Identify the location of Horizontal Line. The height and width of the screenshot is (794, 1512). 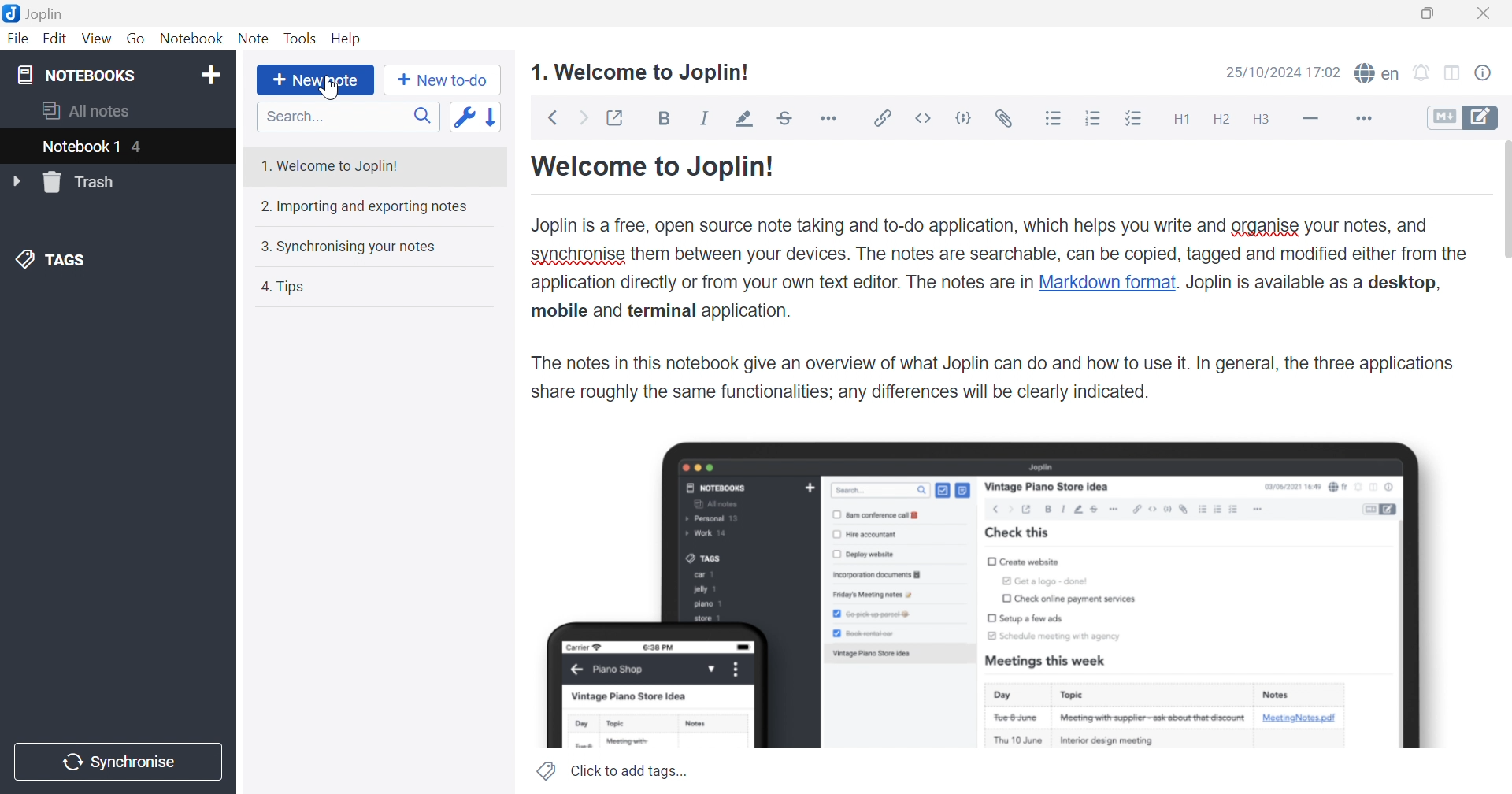
(1310, 119).